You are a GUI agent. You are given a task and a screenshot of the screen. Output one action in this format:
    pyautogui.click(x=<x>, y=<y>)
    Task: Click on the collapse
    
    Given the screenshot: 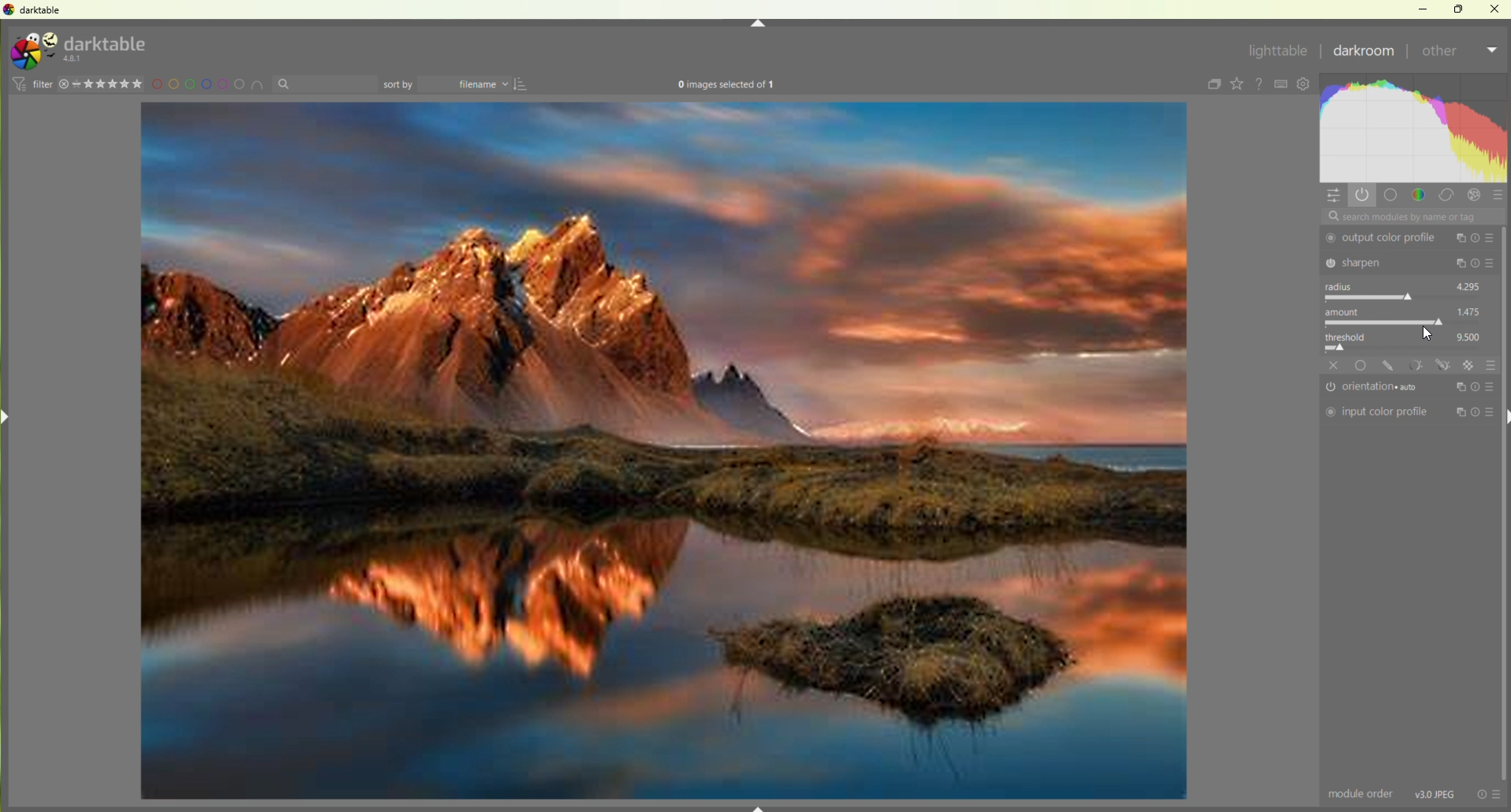 What is the action you would take?
    pyautogui.click(x=1211, y=85)
    